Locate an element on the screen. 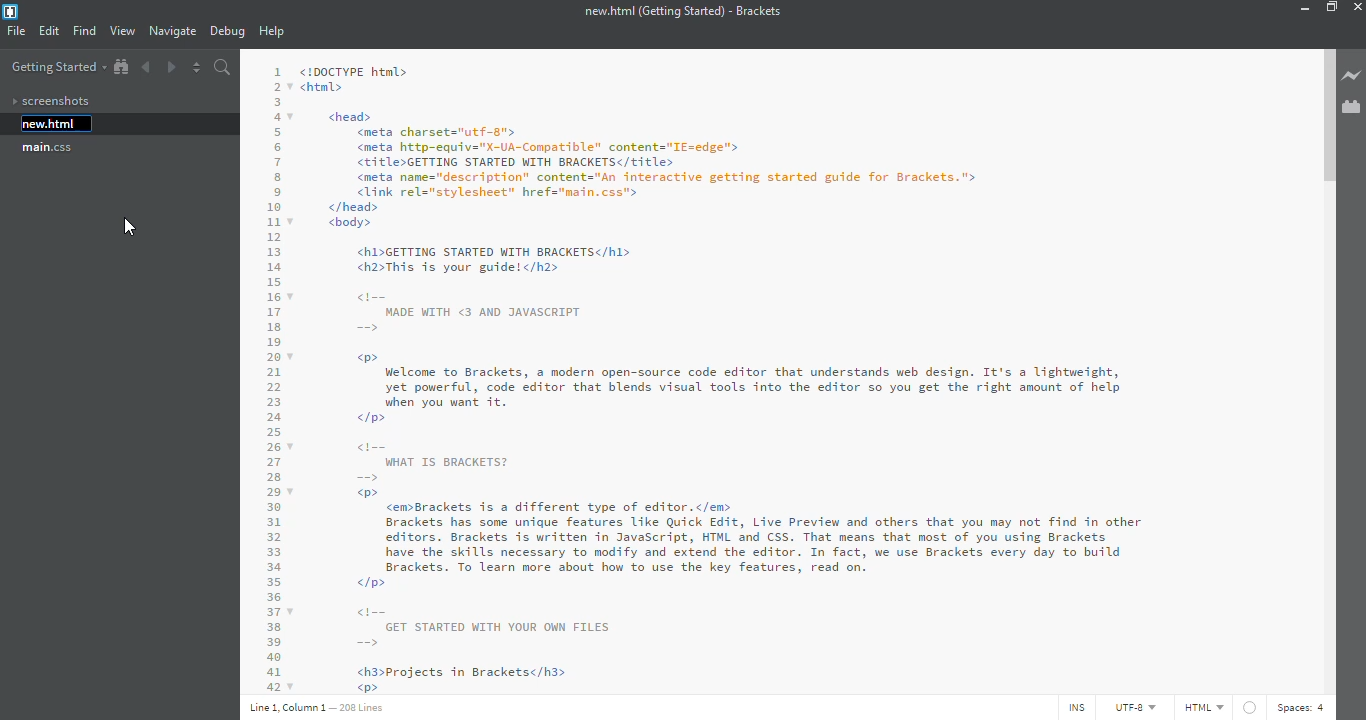 Image resolution: width=1366 pixels, height=720 pixels. minimize is located at coordinates (1302, 8).